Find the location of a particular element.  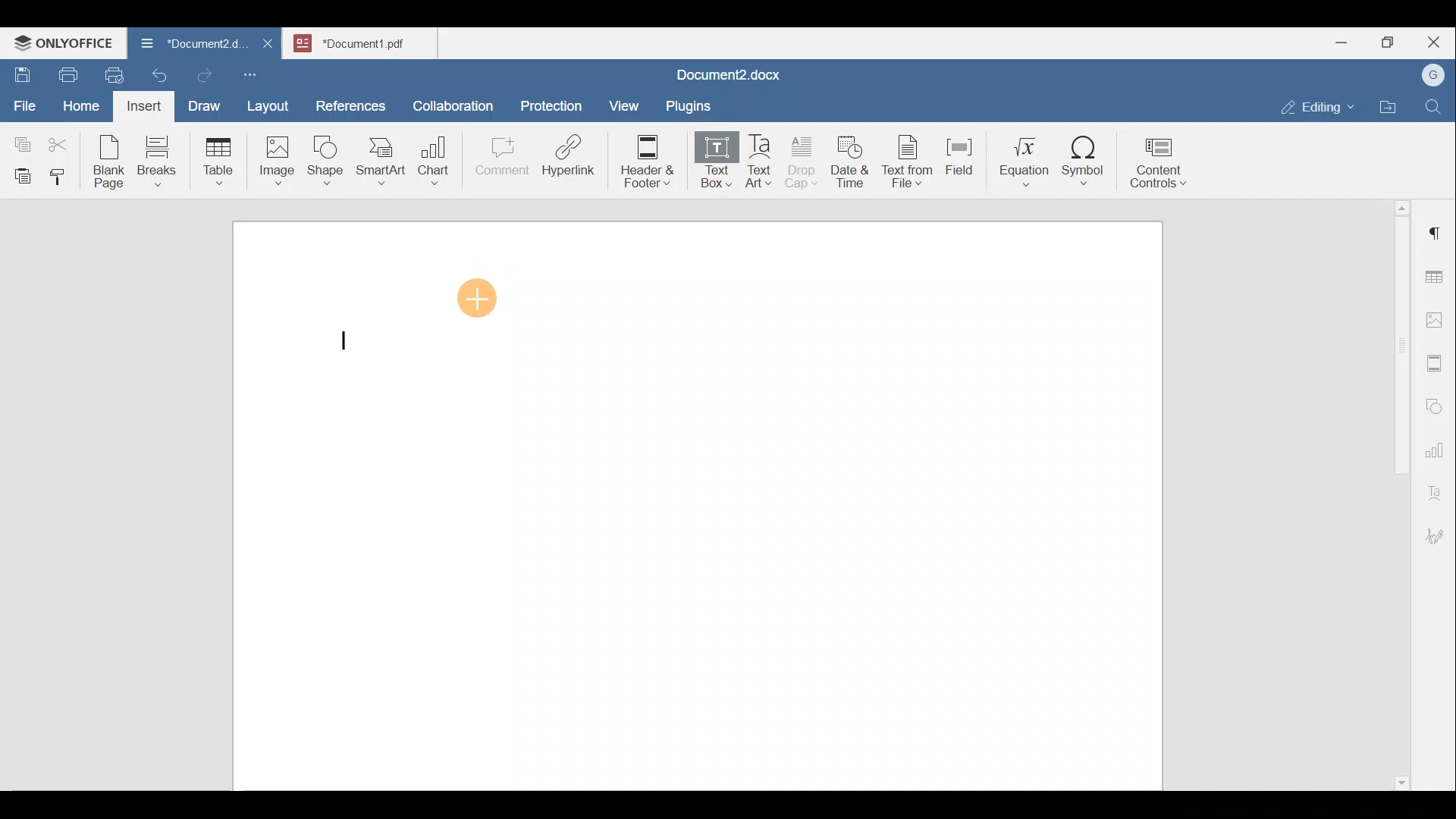

Breaks is located at coordinates (156, 162).